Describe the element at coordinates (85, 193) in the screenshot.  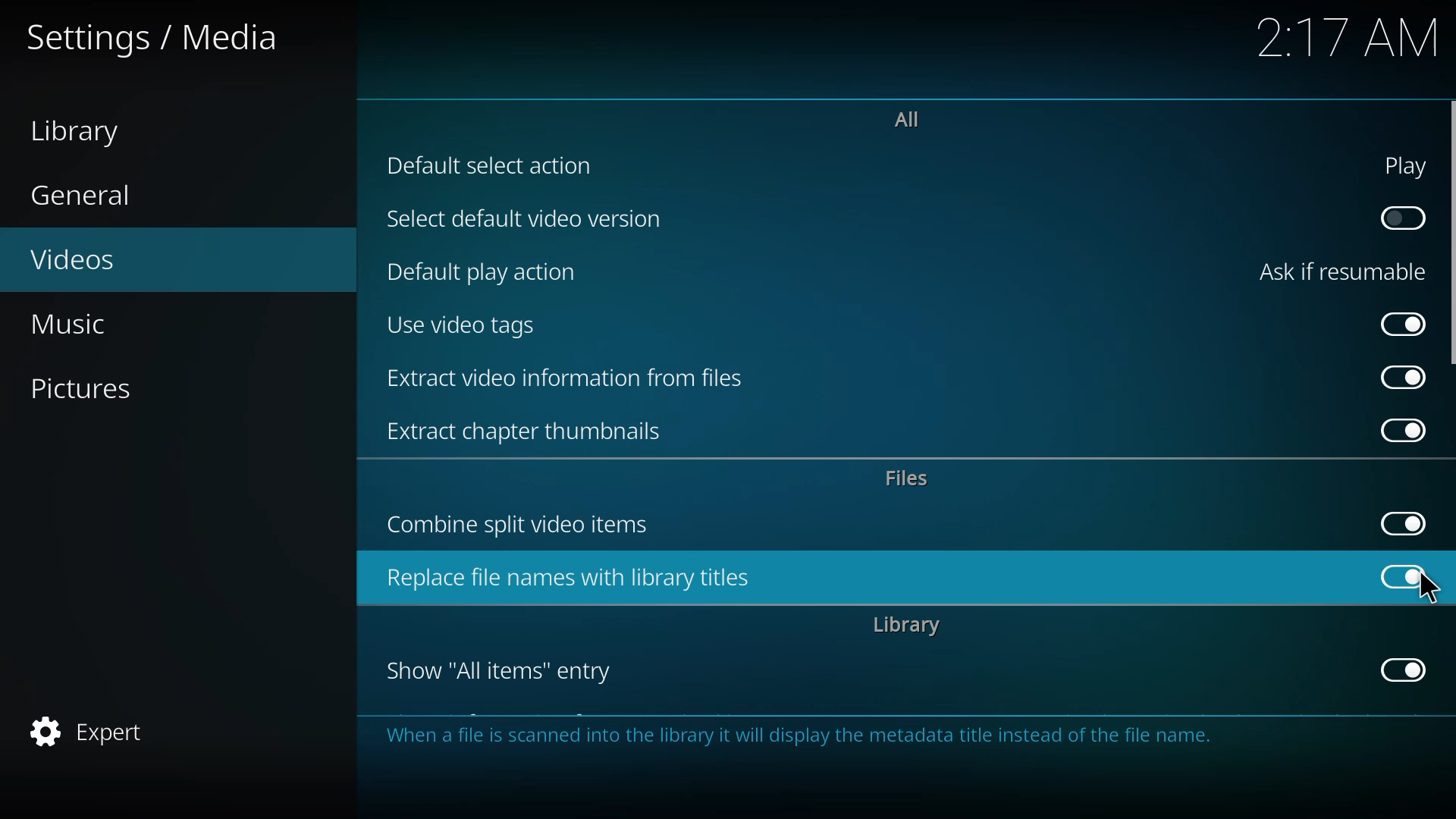
I see `general` at that location.